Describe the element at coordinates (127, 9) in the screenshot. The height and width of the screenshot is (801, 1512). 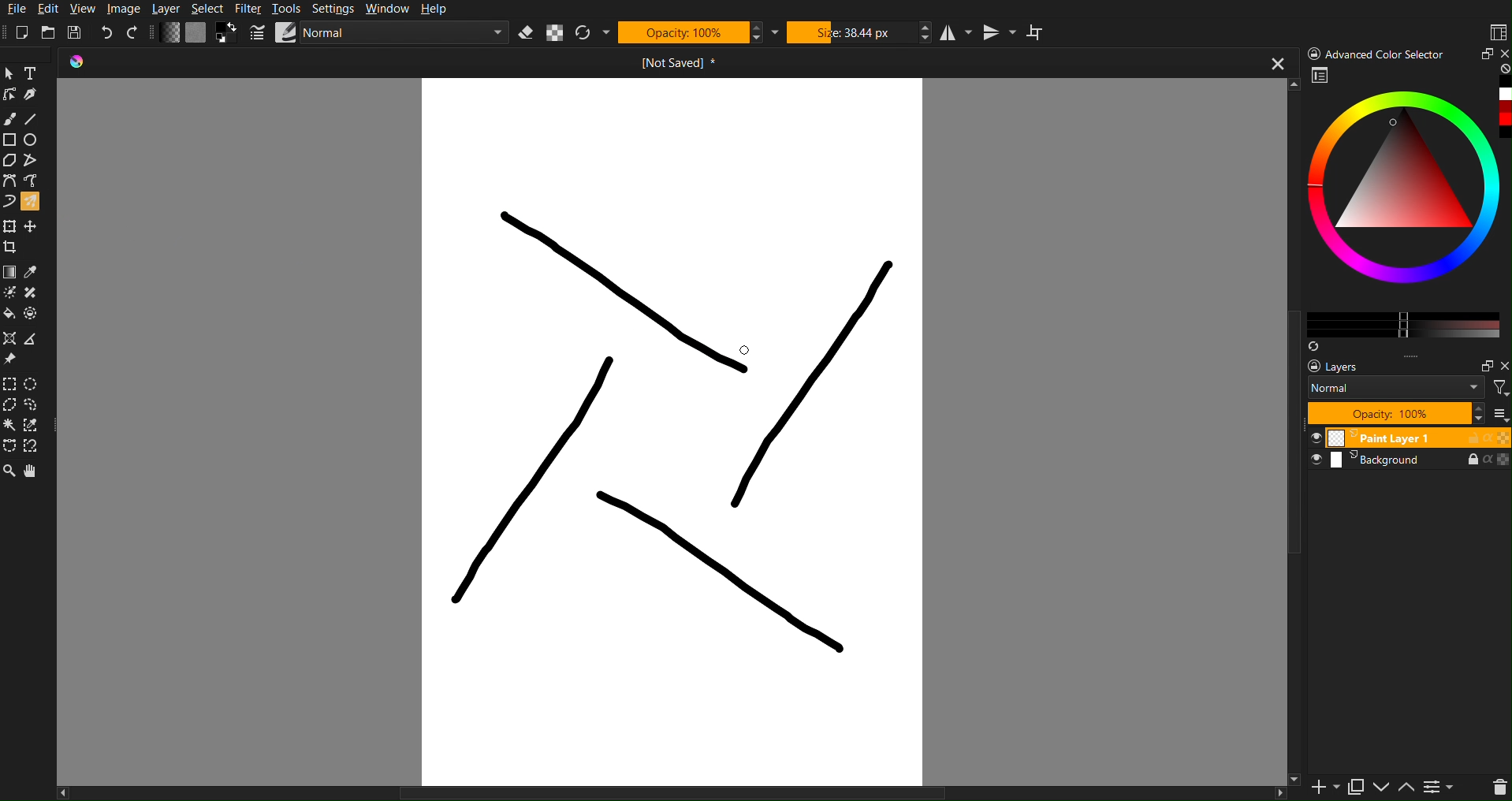
I see `Image` at that location.